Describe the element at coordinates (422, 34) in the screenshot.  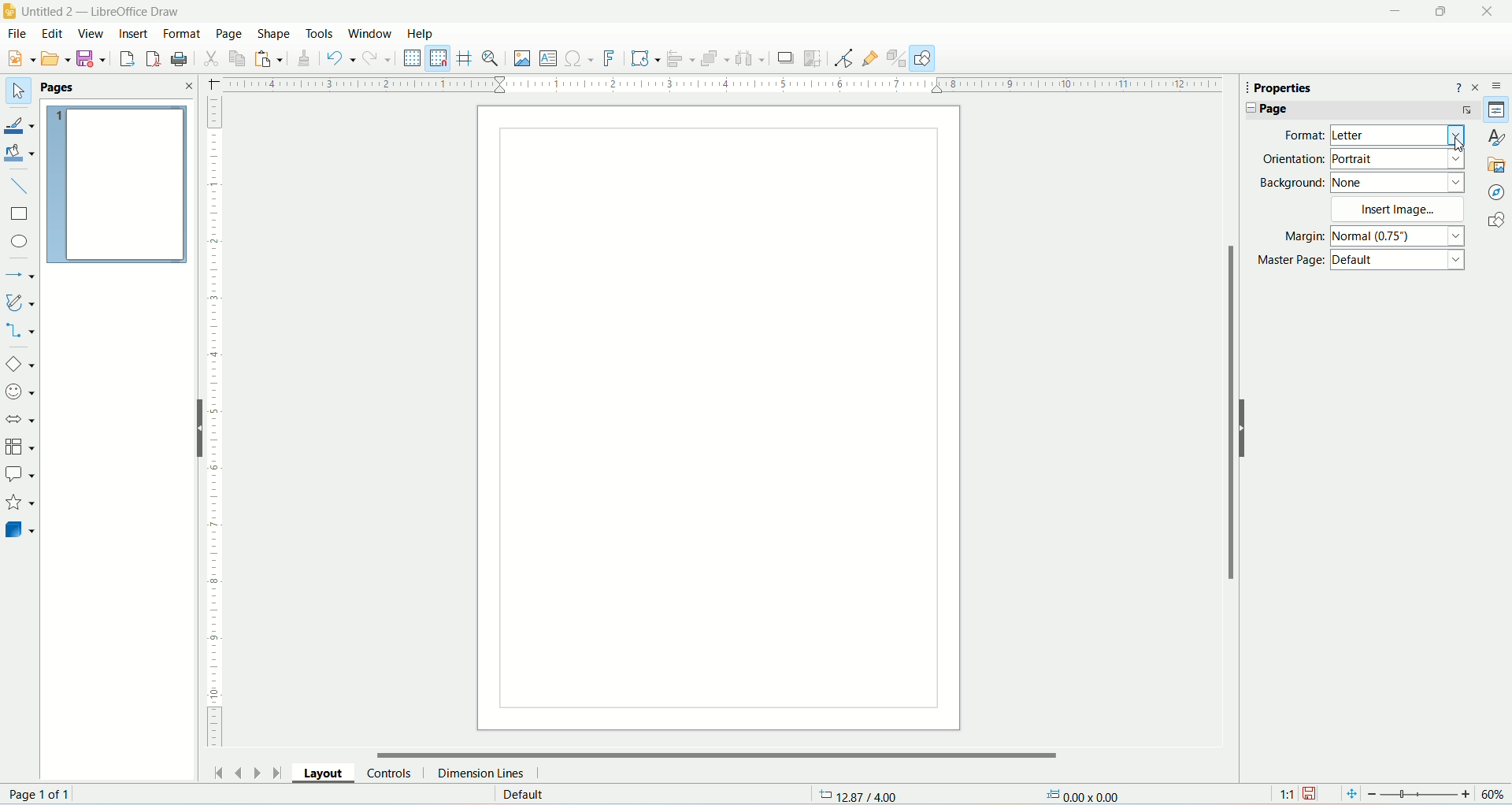
I see `help` at that location.